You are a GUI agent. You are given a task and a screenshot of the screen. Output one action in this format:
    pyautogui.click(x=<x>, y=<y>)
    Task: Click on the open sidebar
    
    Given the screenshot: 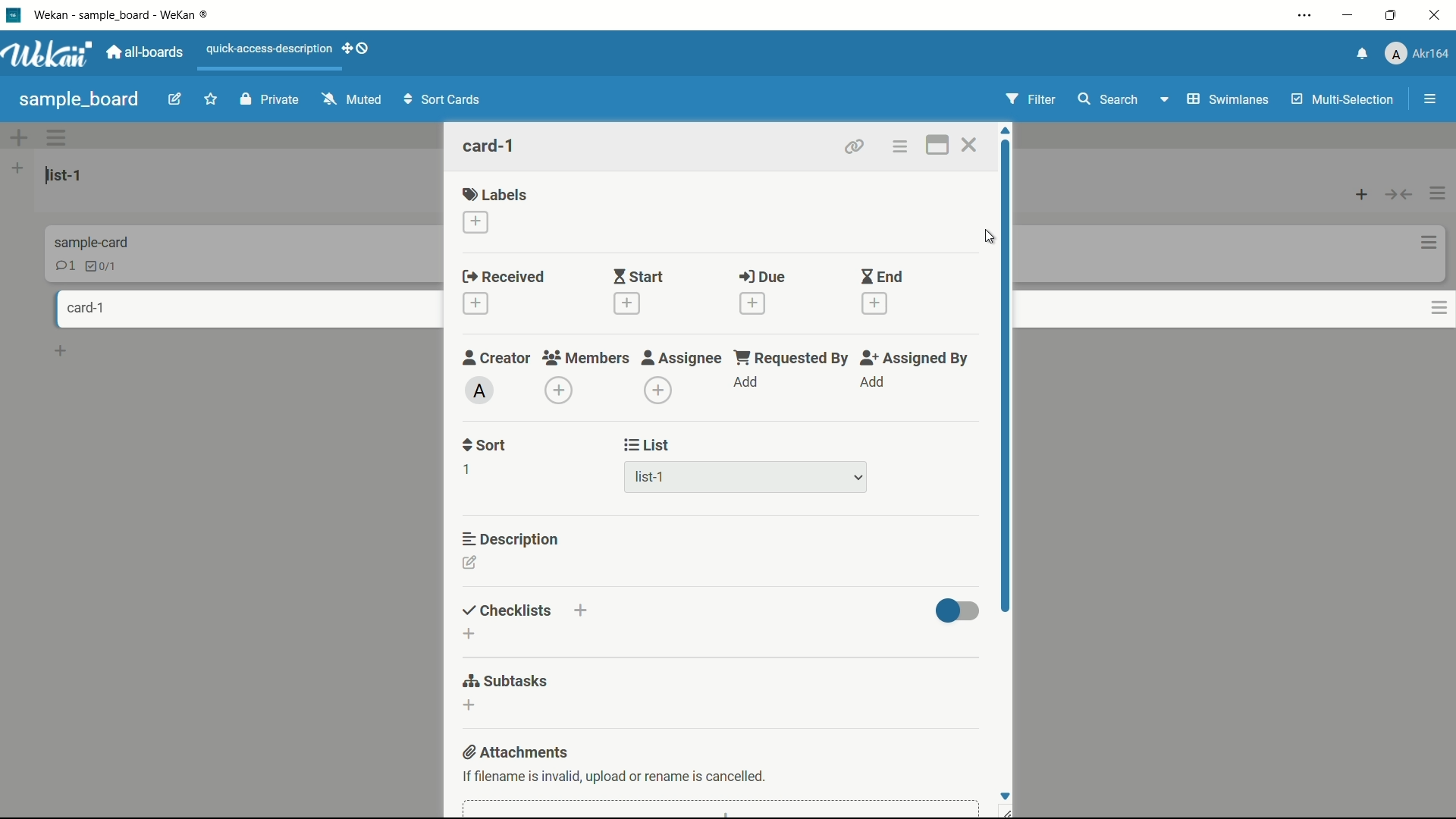 What is the action you would take?
    pyautogui.click(x=1423, y=99)
    